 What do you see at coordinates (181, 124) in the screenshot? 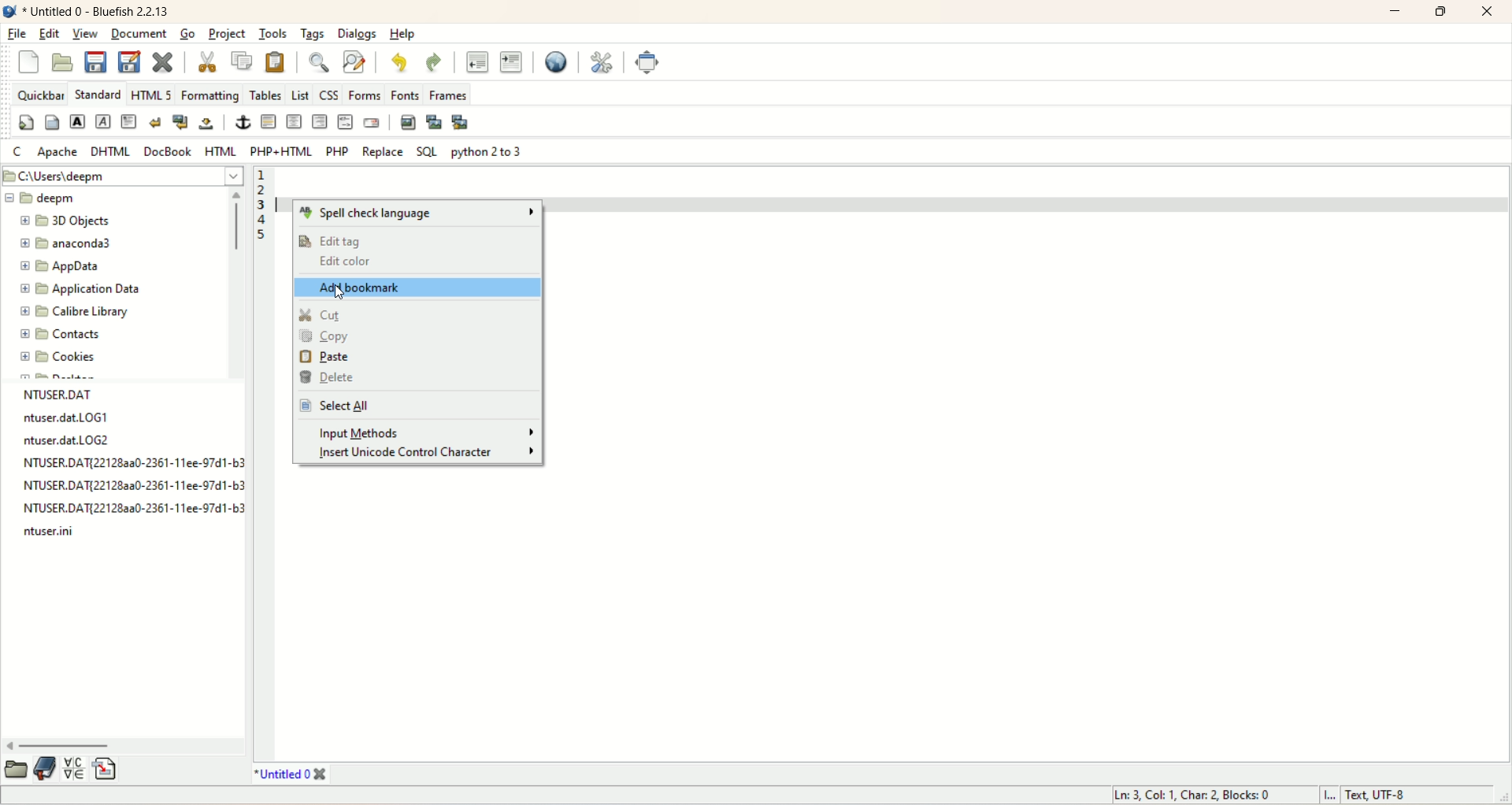
I see `break and clean` at bounding box center [181, 124].